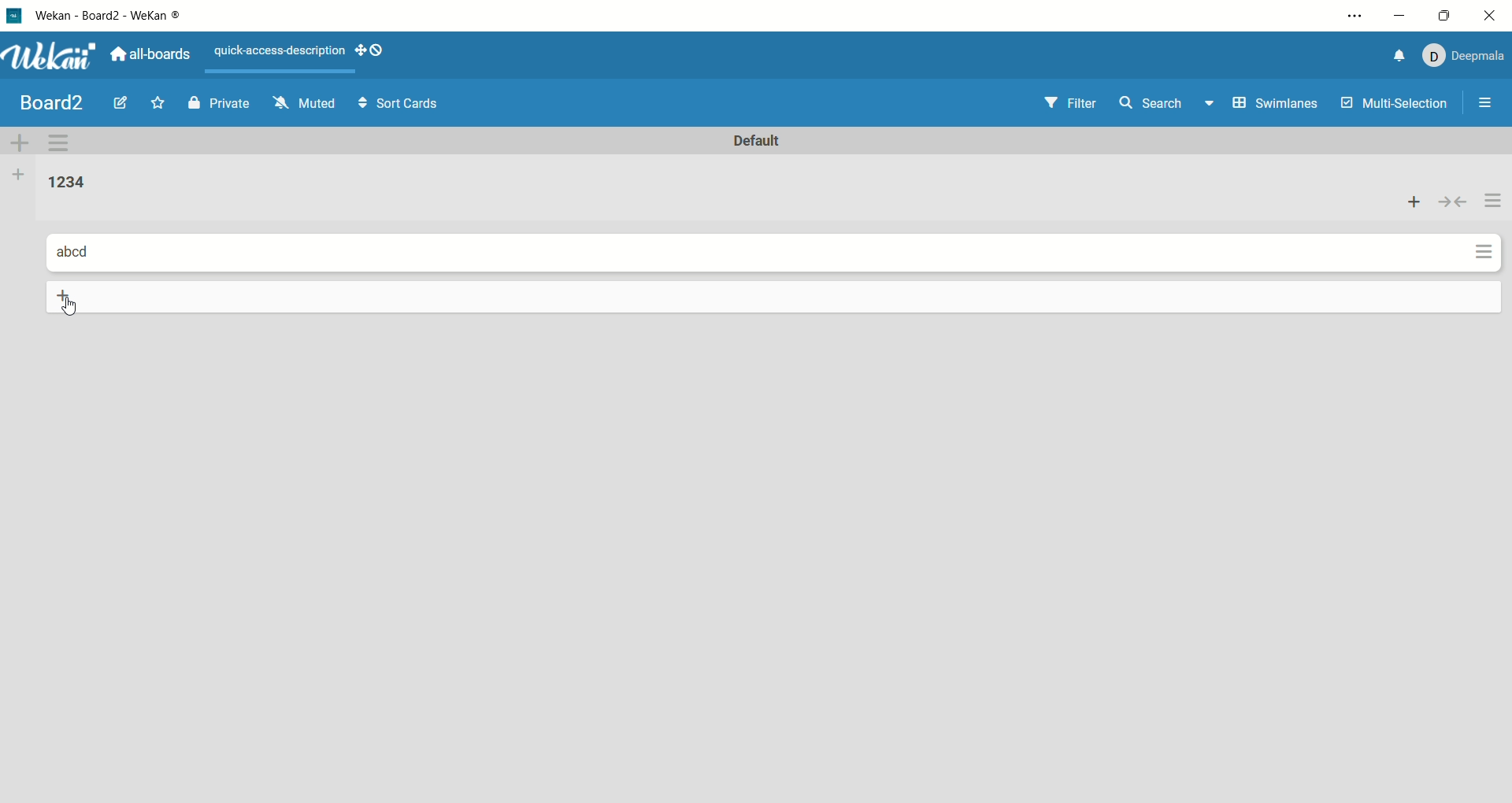  Describe the element at coordinates (69, 246) in the screenshot. I see `card title` at that location.